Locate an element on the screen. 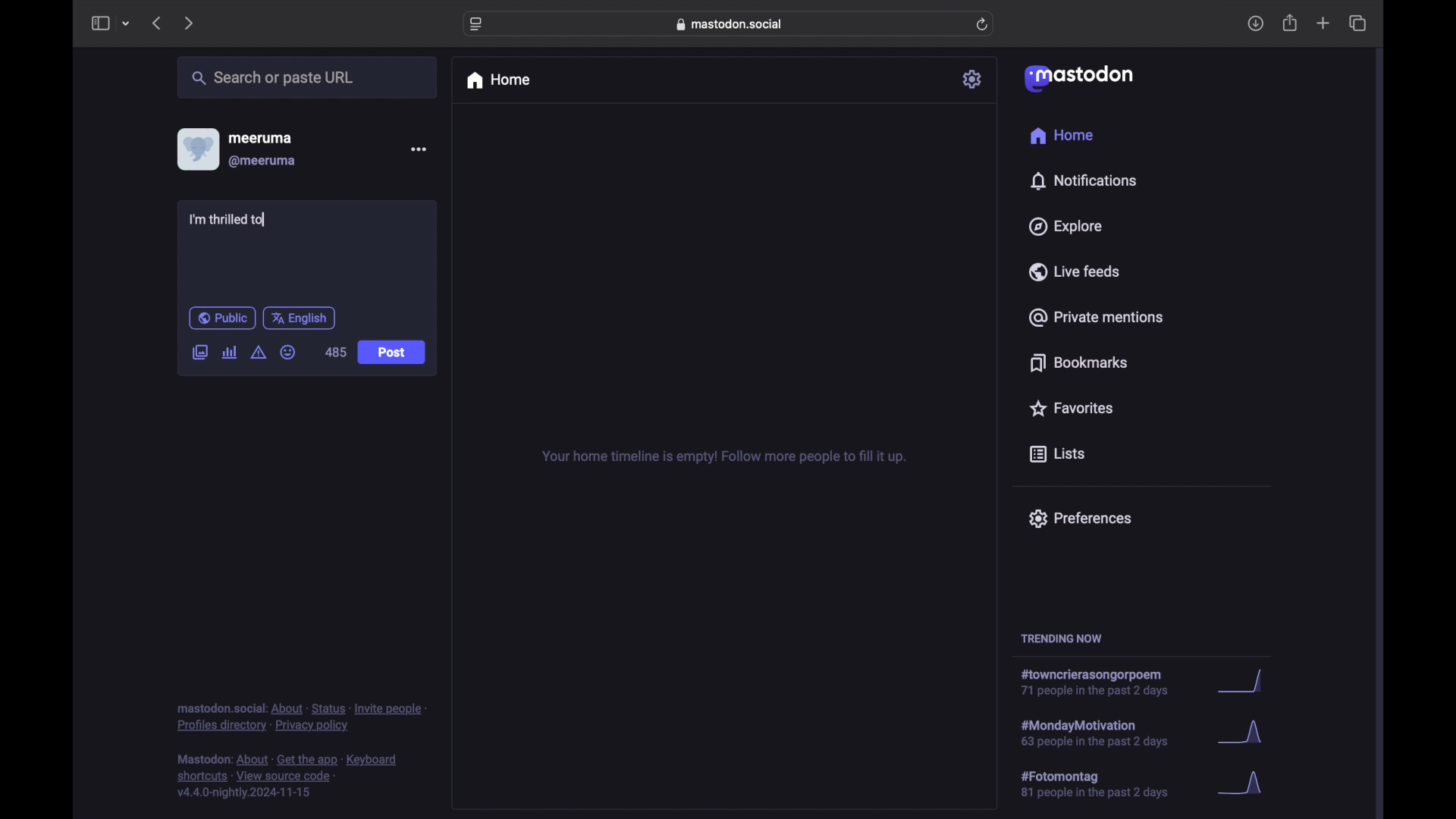 The width and height of the screenshot is (1456, 819). your home timeline is  empty! follow for more tips is located at coordinates (722, 457).